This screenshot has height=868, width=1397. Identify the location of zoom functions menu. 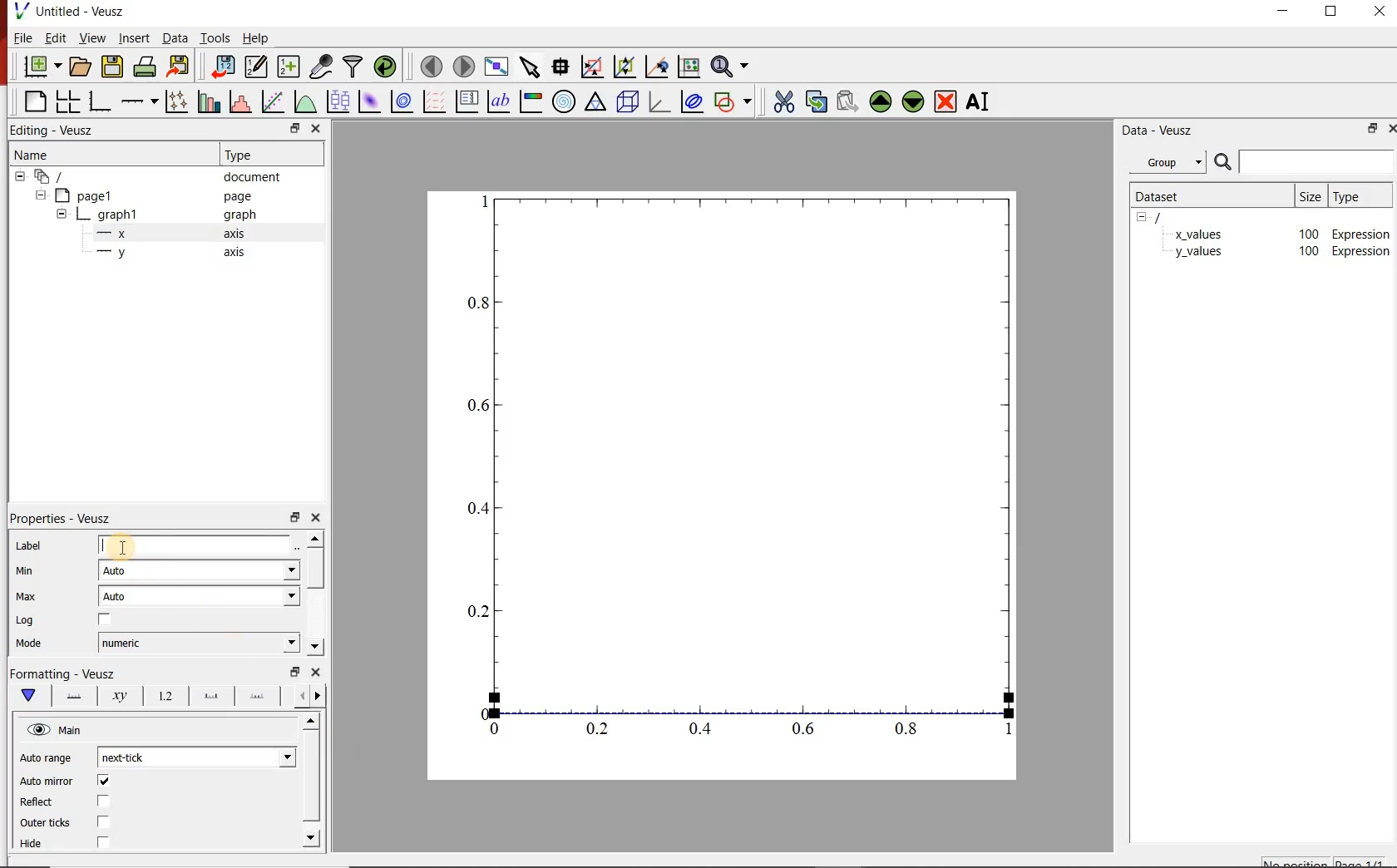
(730, 68).